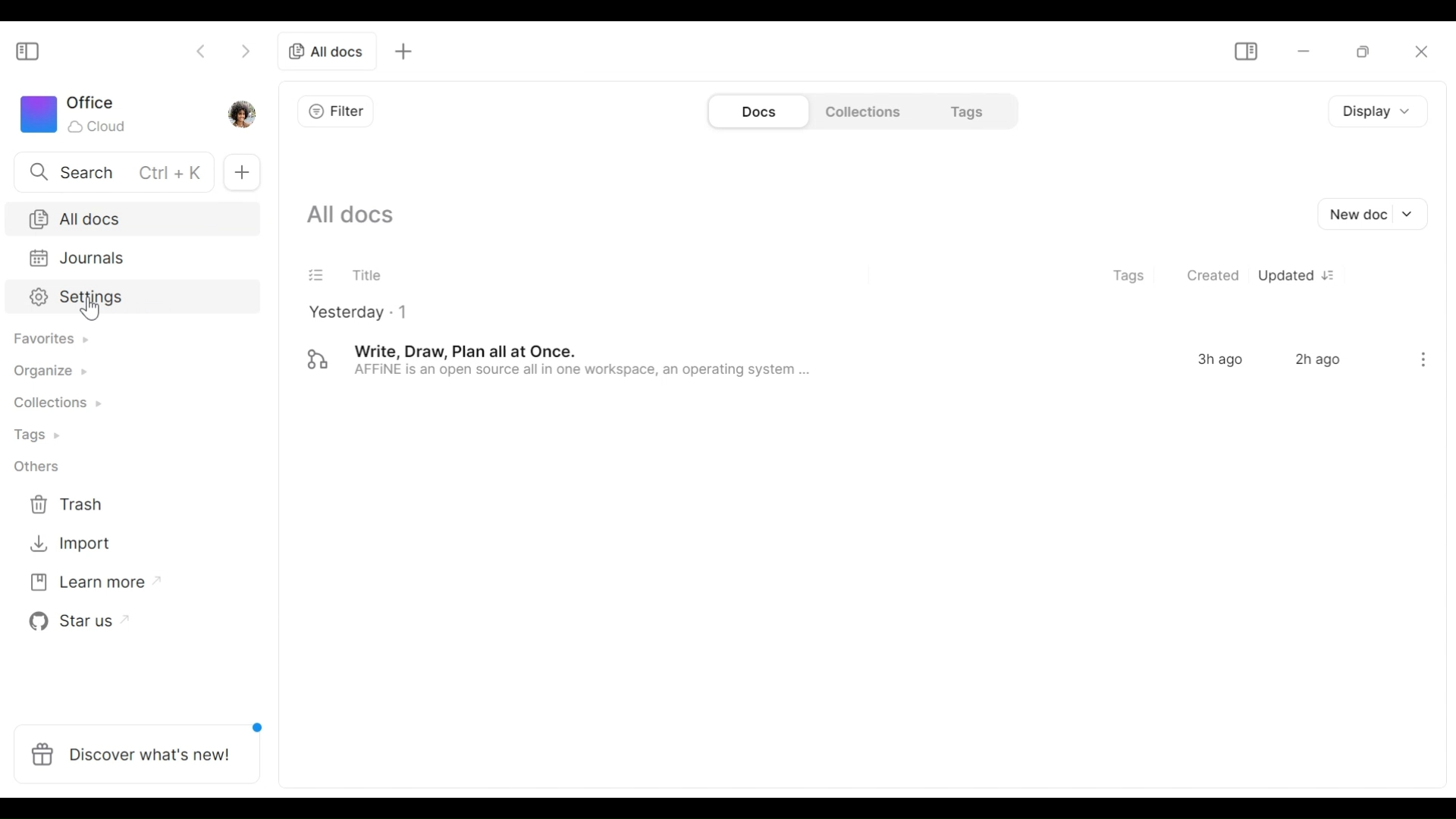  What do you see at coordinates (36, 466) in the screenshot?
I see `Others` at bounding box center [36, 466].